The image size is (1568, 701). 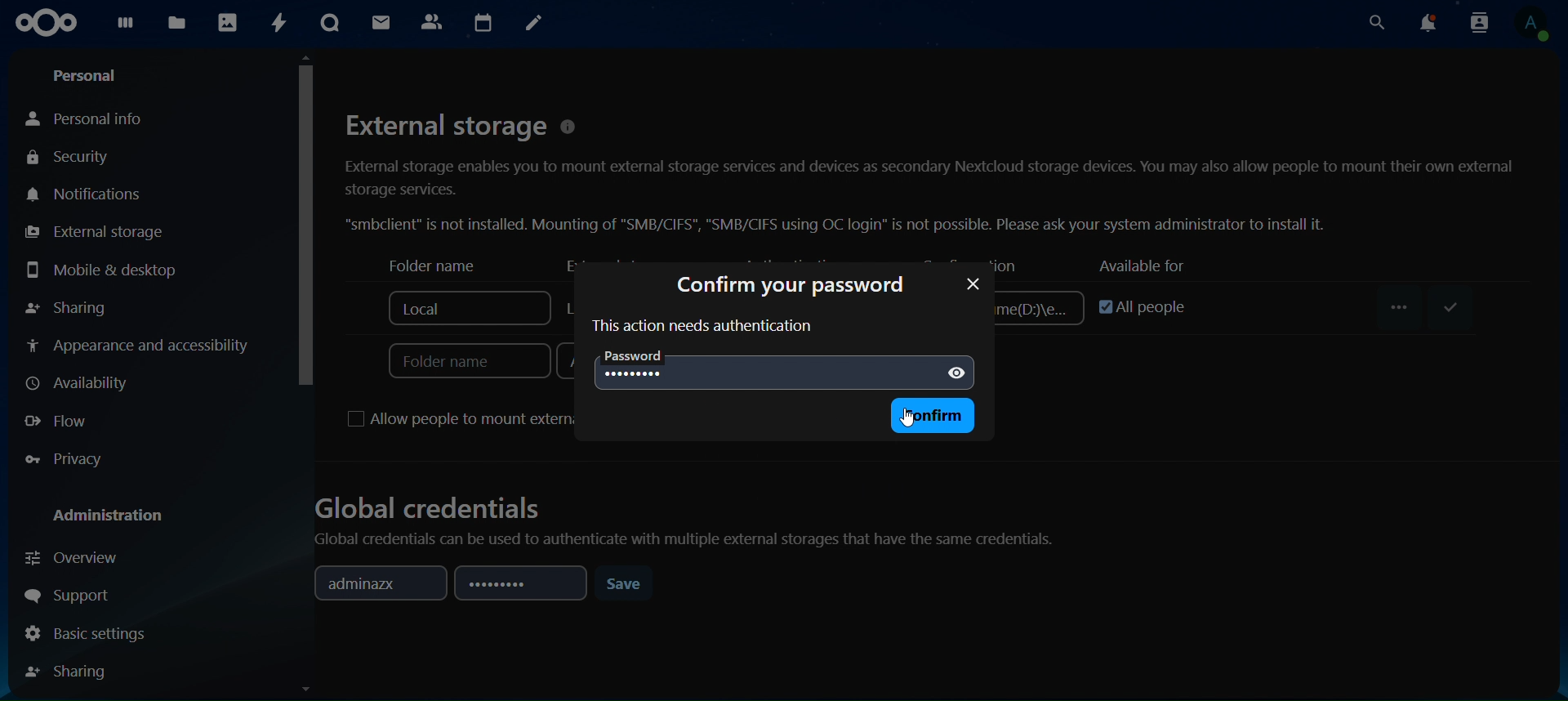 I want to click on security, so click(x=82, y=157).